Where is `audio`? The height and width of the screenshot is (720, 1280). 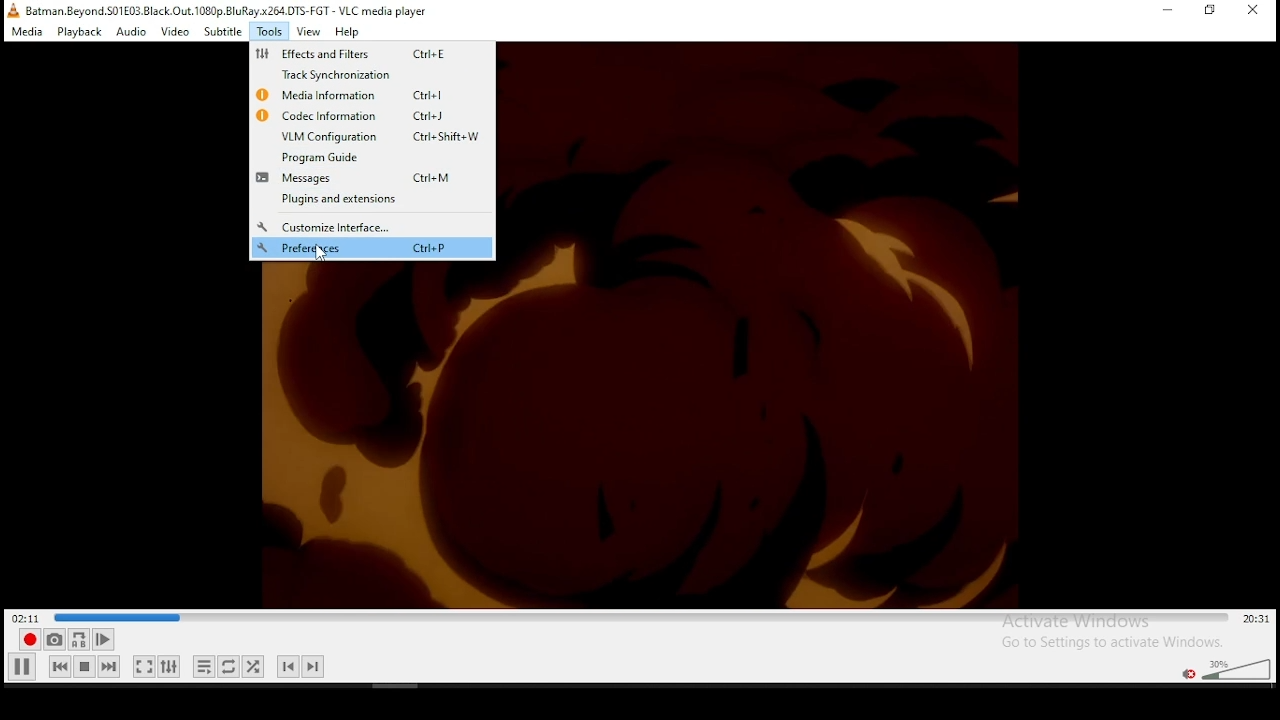
audio is located at coordinates (130, 33).